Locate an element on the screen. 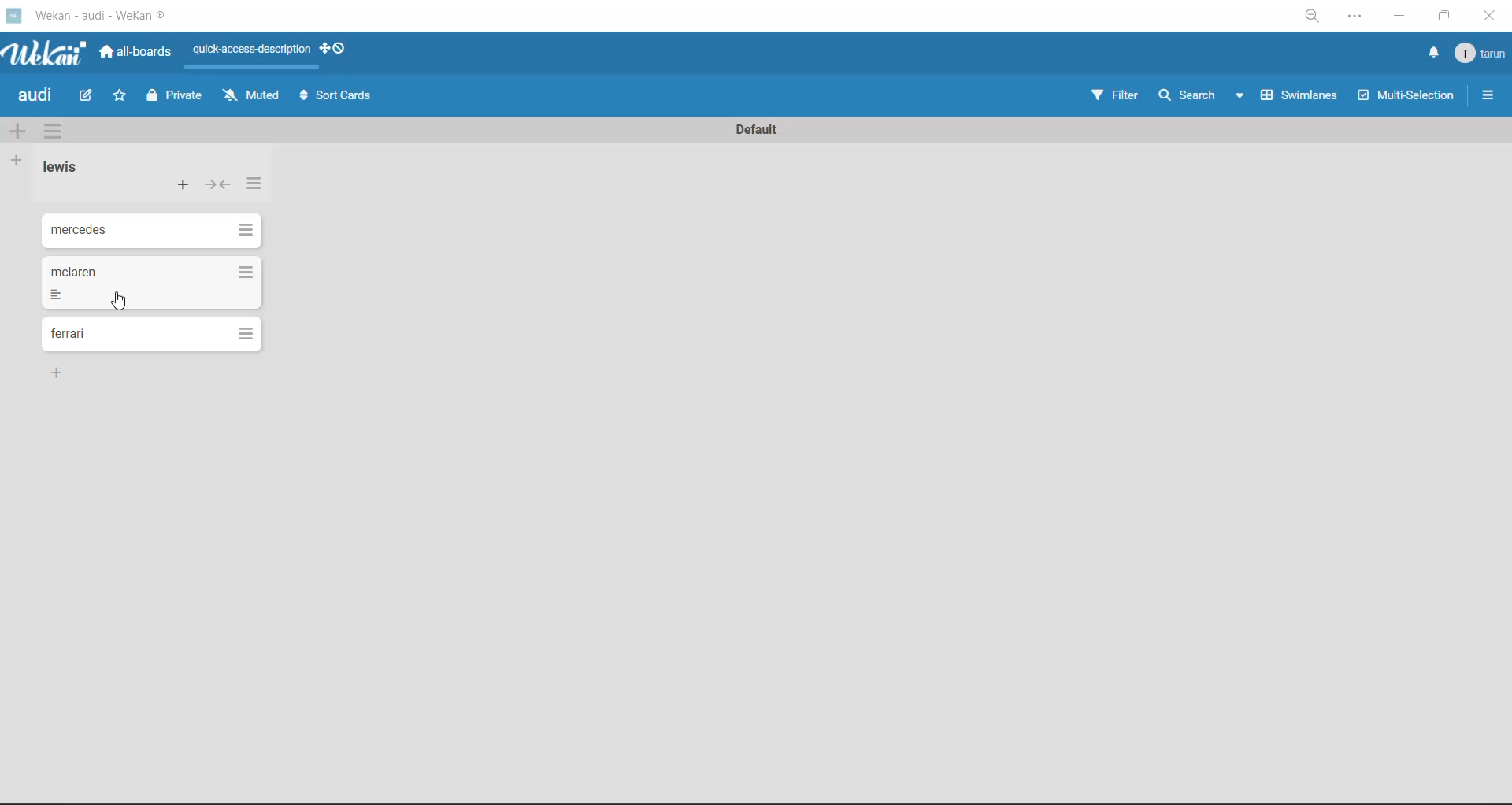 The height and width of the screenshot is (805, 1512). list actions is located at coordinates (251, 187).